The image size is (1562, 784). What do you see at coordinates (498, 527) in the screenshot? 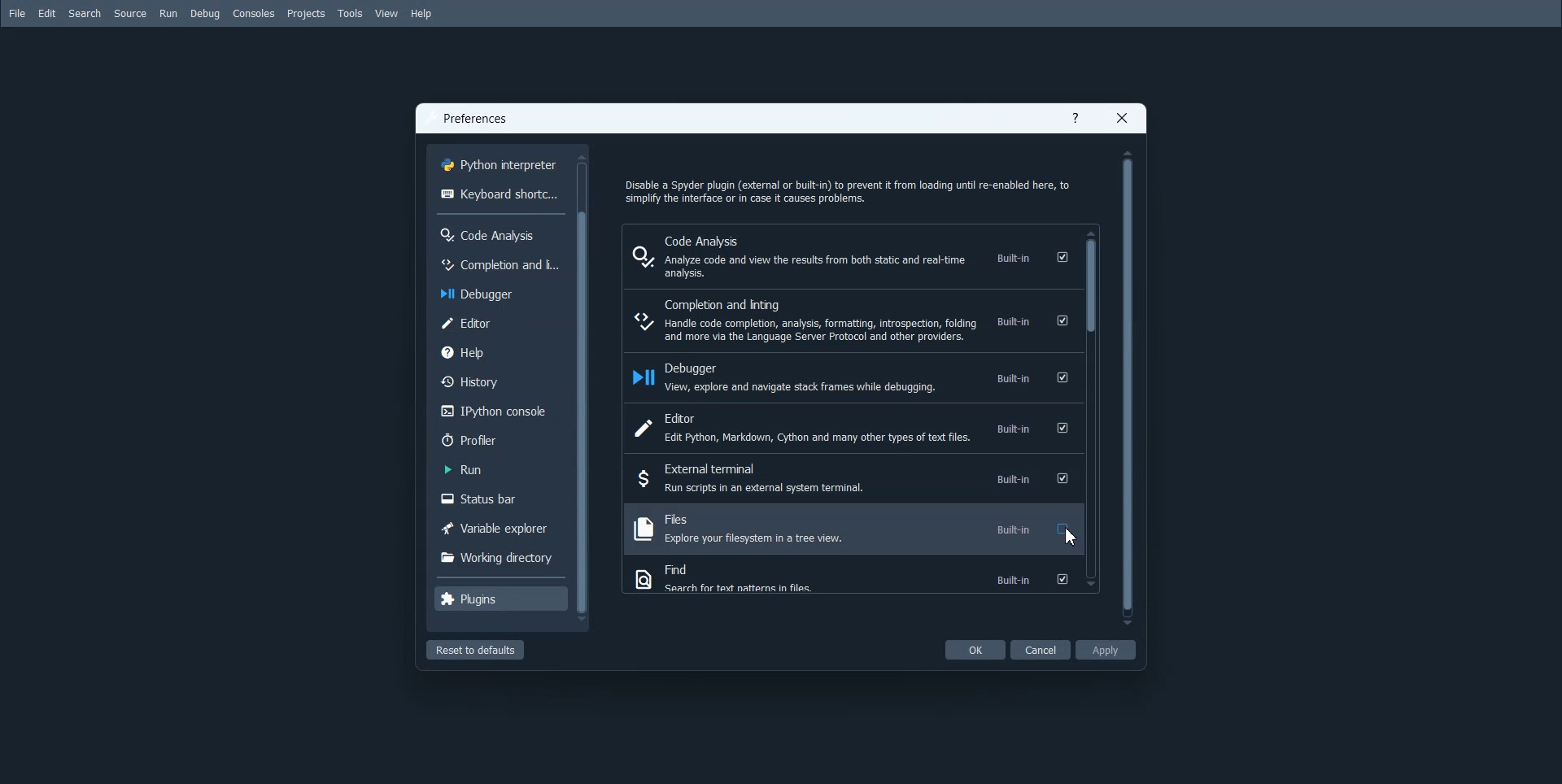
I see `Variable explorer` at bounding box center [498, 527].